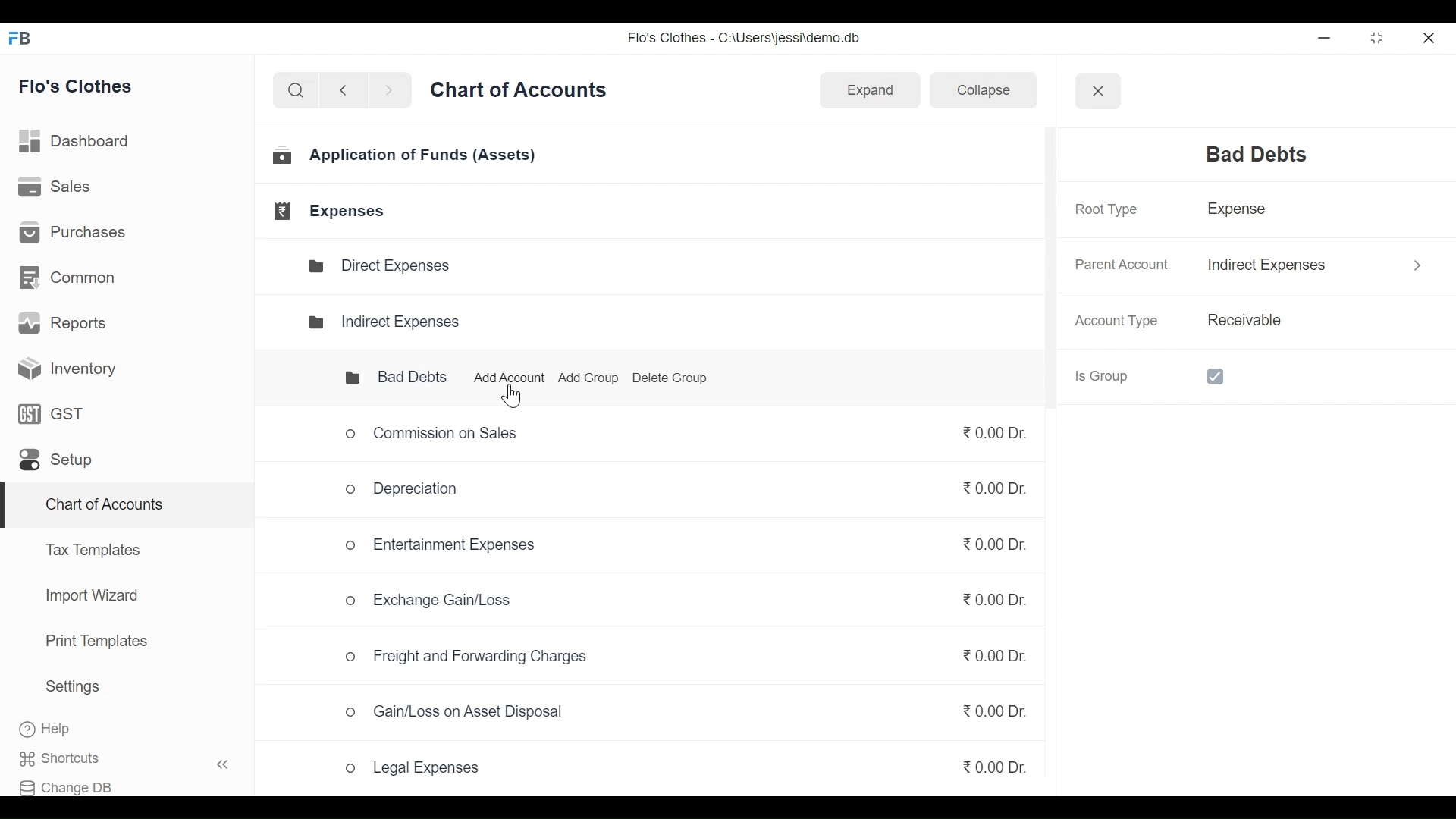 This screenshot has width=1456, height=819. What do you see at coordinates (72, 689) in the screenshot?
I see `Settings` at bounding box center [72, 689].